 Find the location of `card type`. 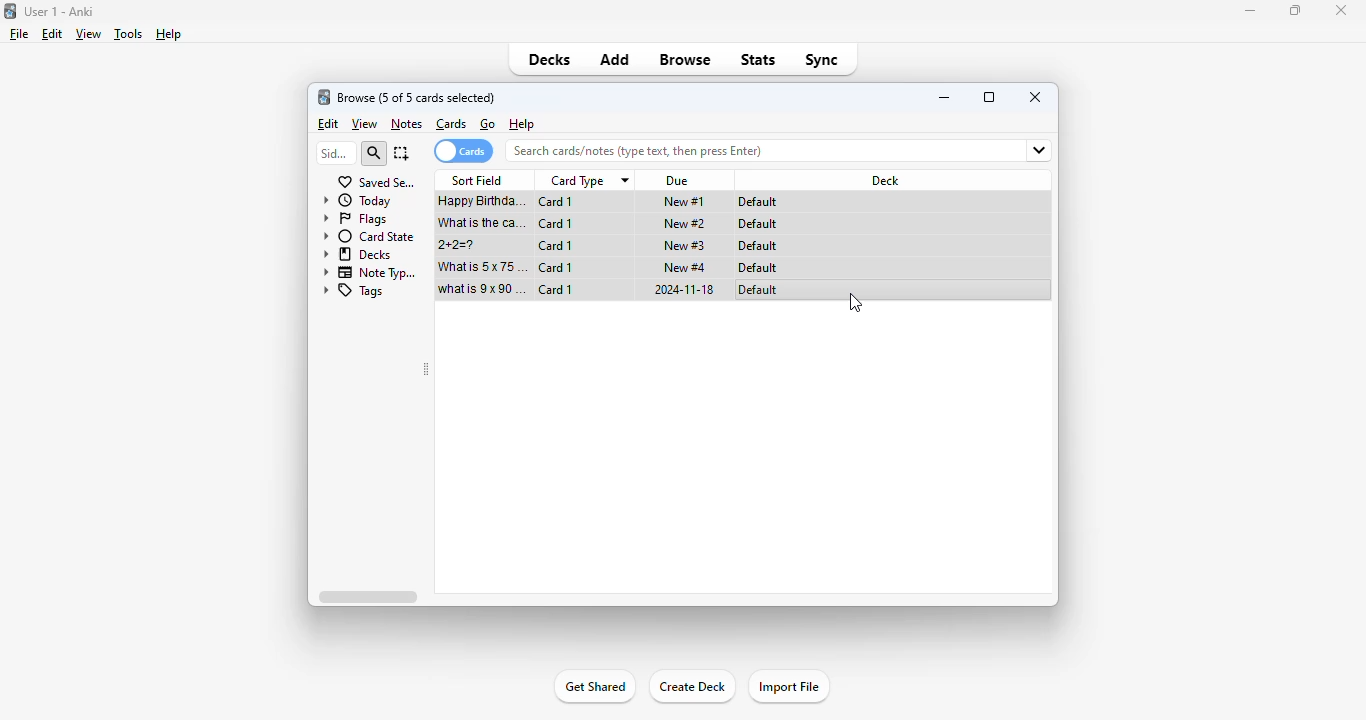

card type is located at coordinates (588, 181).